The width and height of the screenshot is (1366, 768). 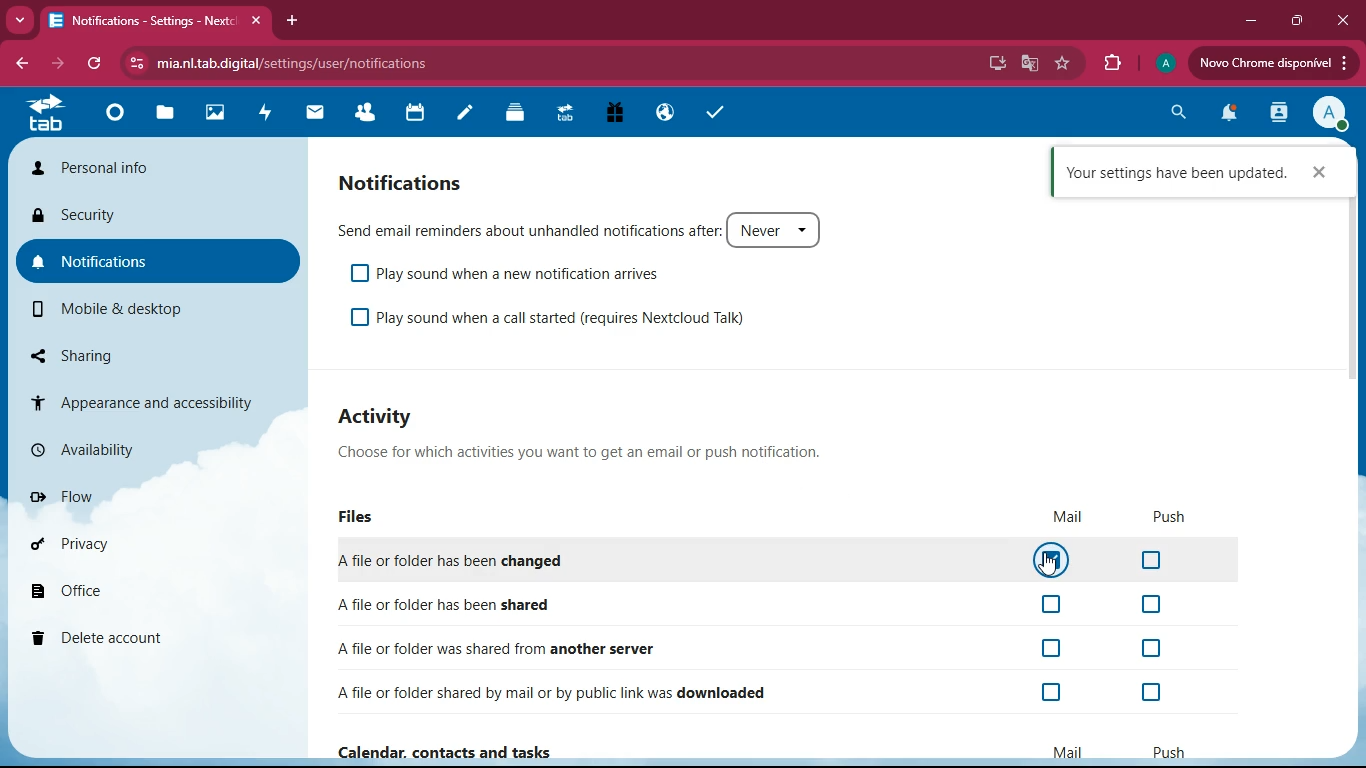 I want to click on security, so click(x=138, y=216).